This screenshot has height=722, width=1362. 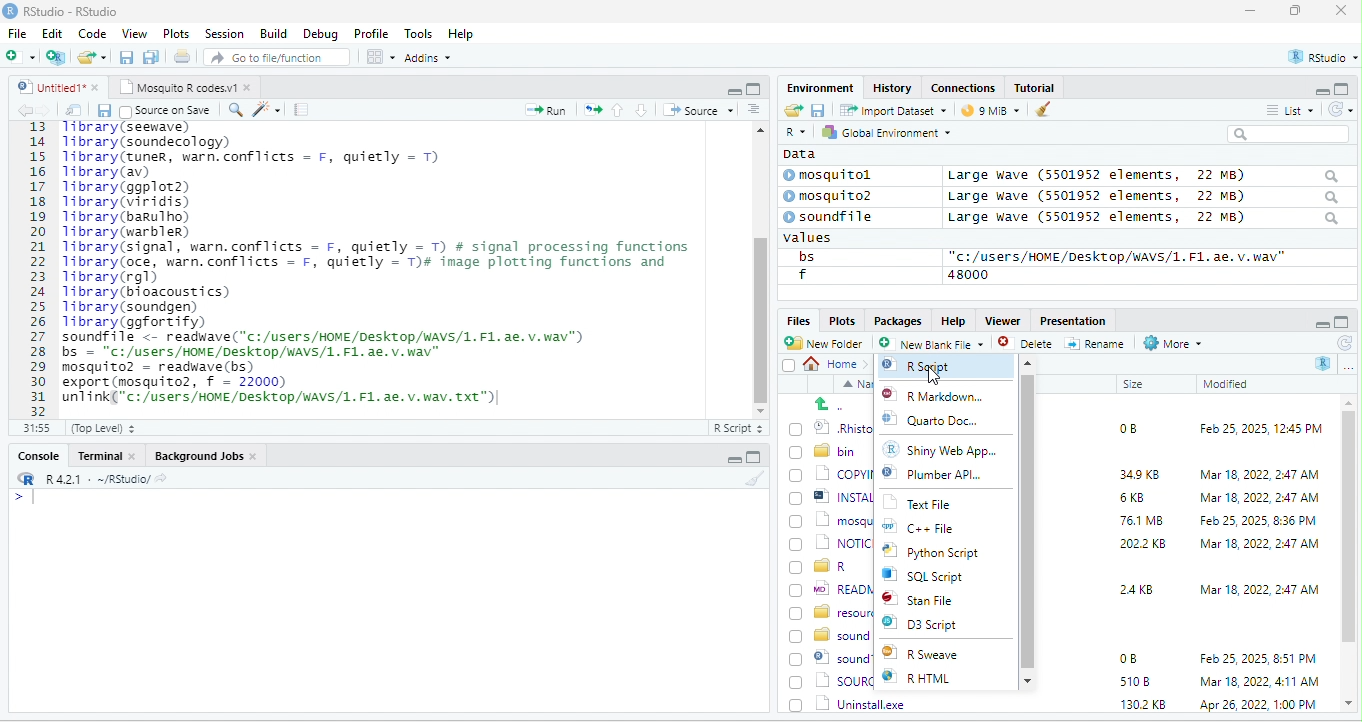 What do you see at coordinates (1037, 87) in the screenshot?
I see `Tutorial` at bounding box center [1037, 87].